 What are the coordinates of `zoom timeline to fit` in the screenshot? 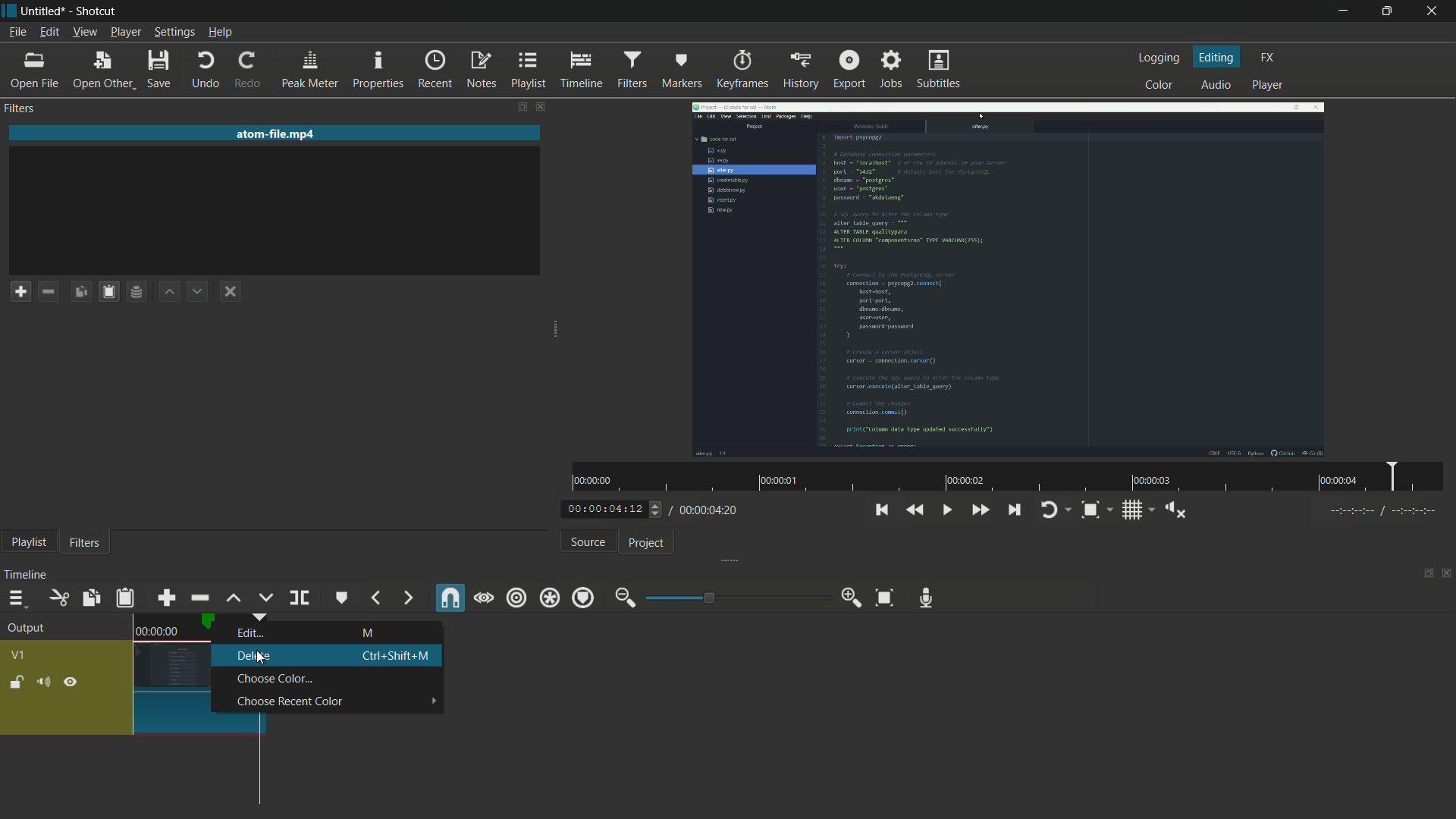 It's located at (885, 599).